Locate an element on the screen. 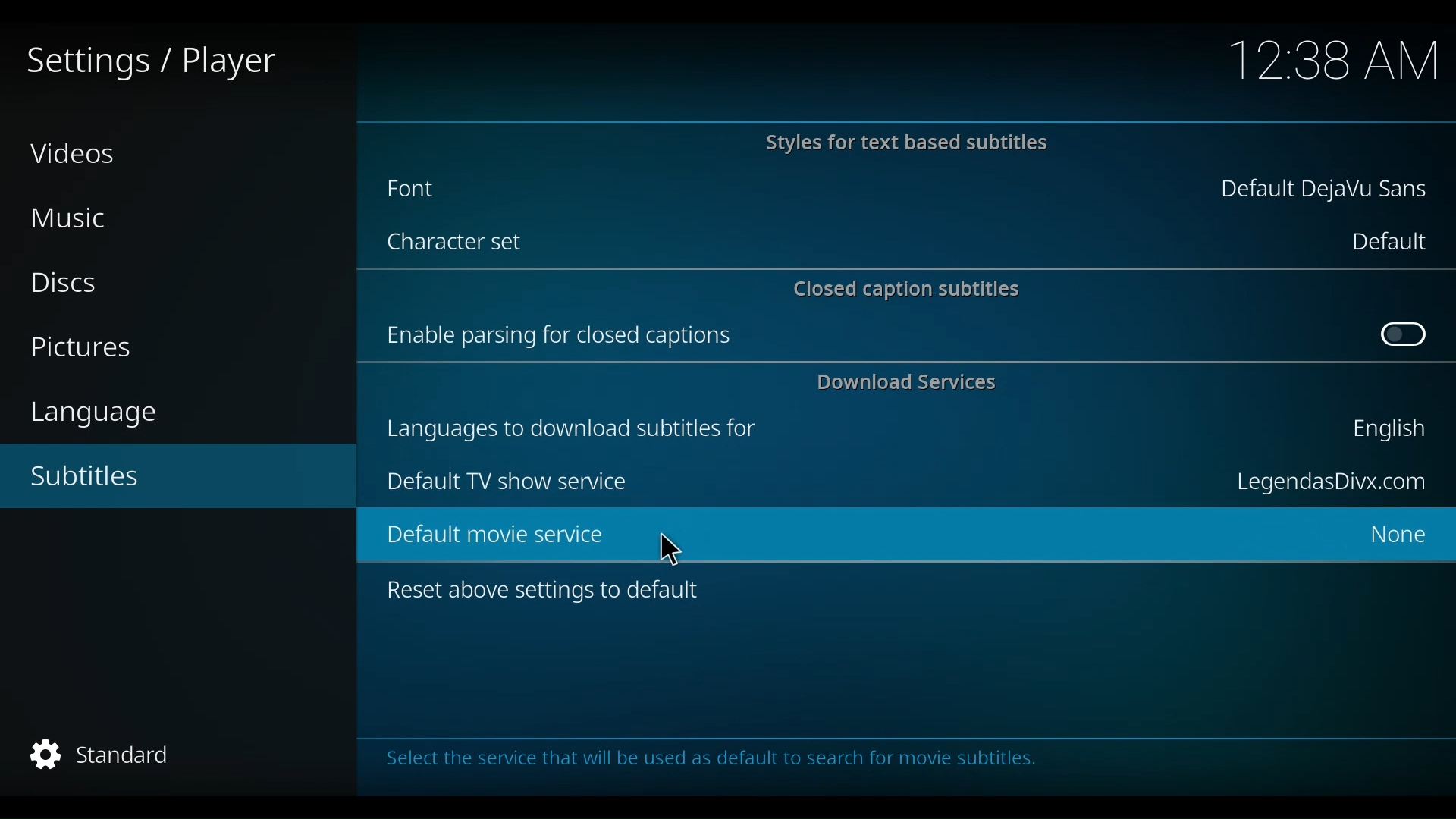 This screenshot has width=1456, height=819. Videos is located at coordinates (75, 152).